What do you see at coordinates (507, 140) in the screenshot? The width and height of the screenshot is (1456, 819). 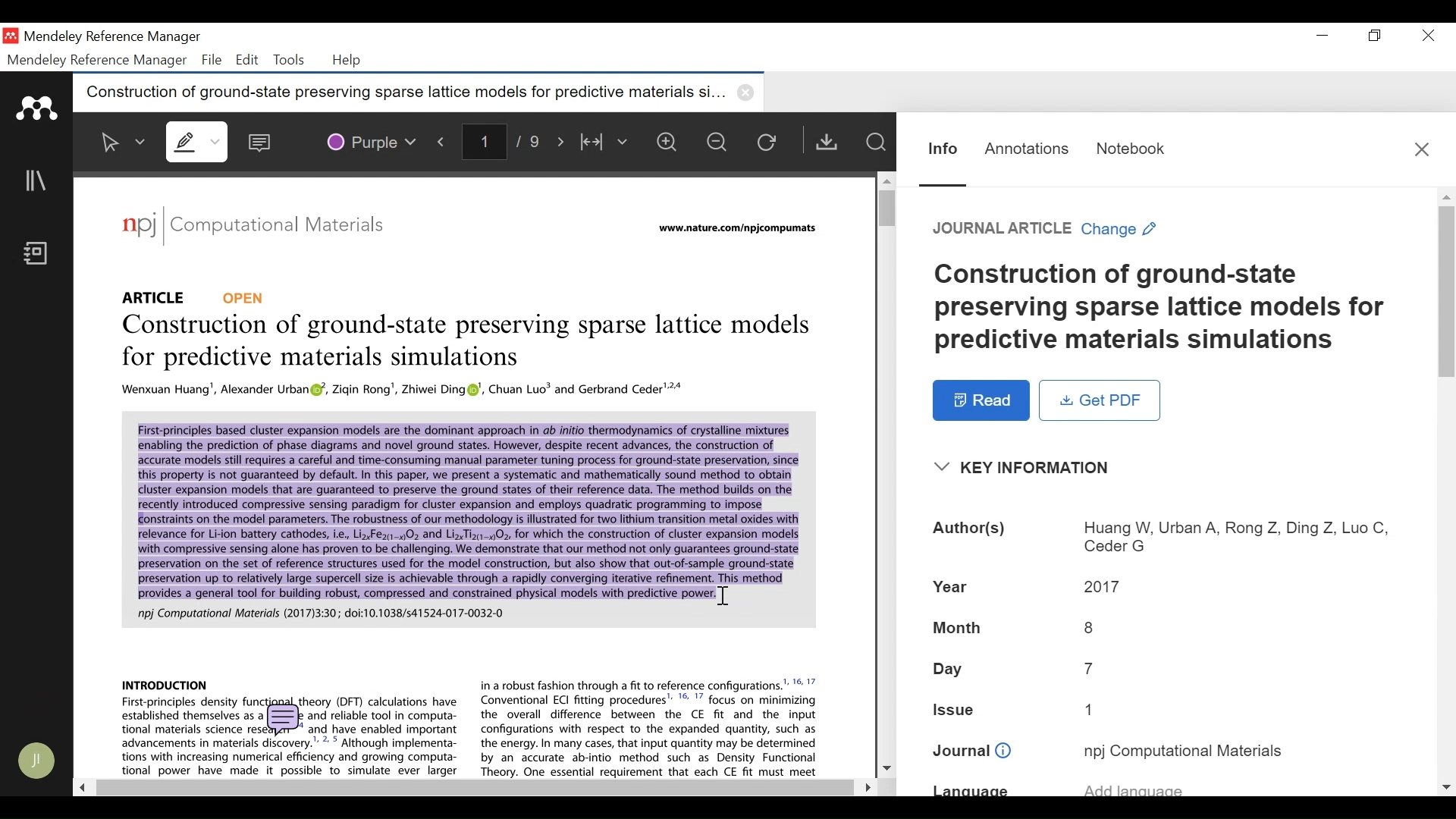 I see `page number/total number of pages` at bounding box center [507, 140].